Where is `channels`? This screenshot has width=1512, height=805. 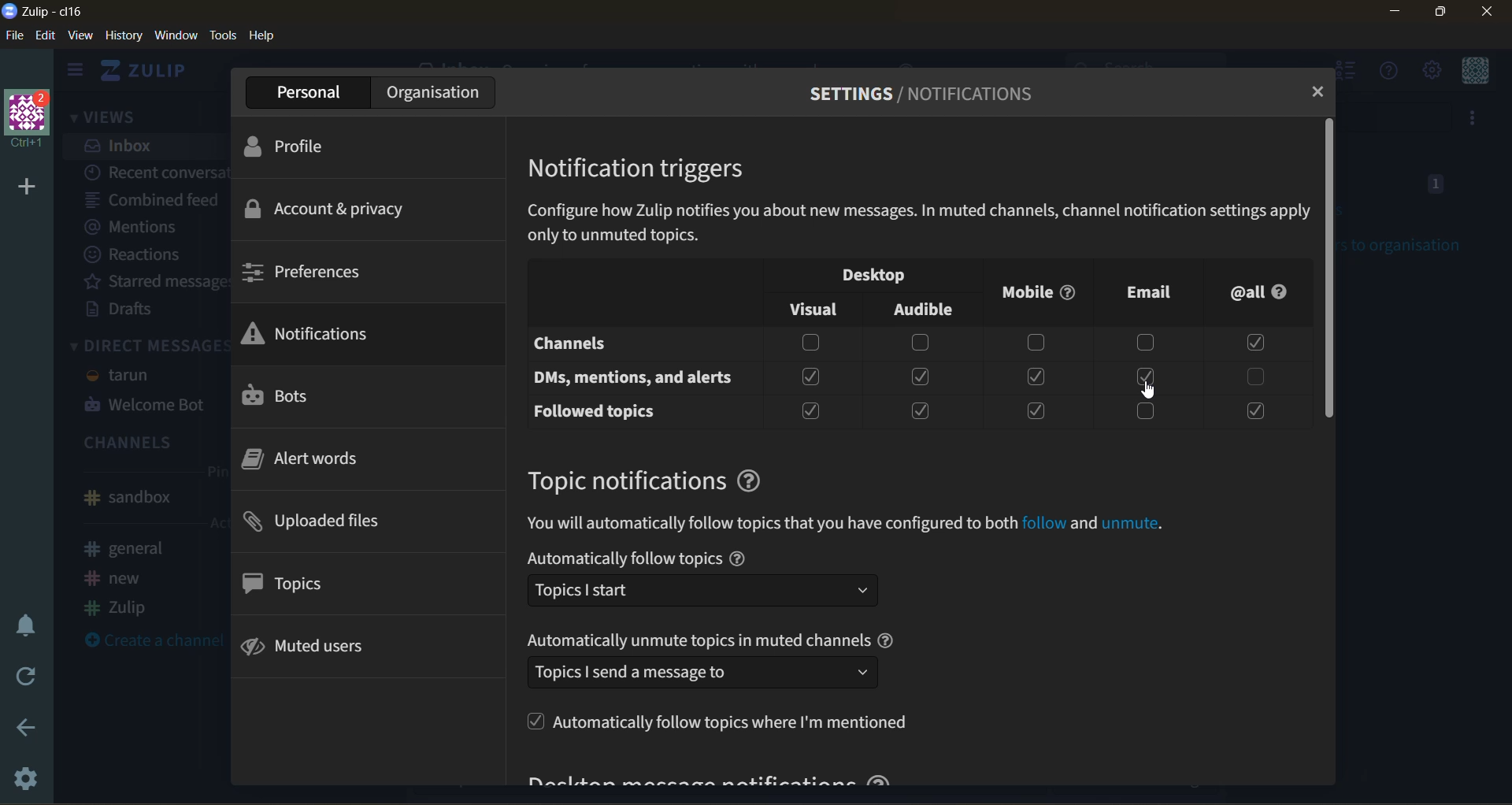
channels is located at coordinates (582, 344).